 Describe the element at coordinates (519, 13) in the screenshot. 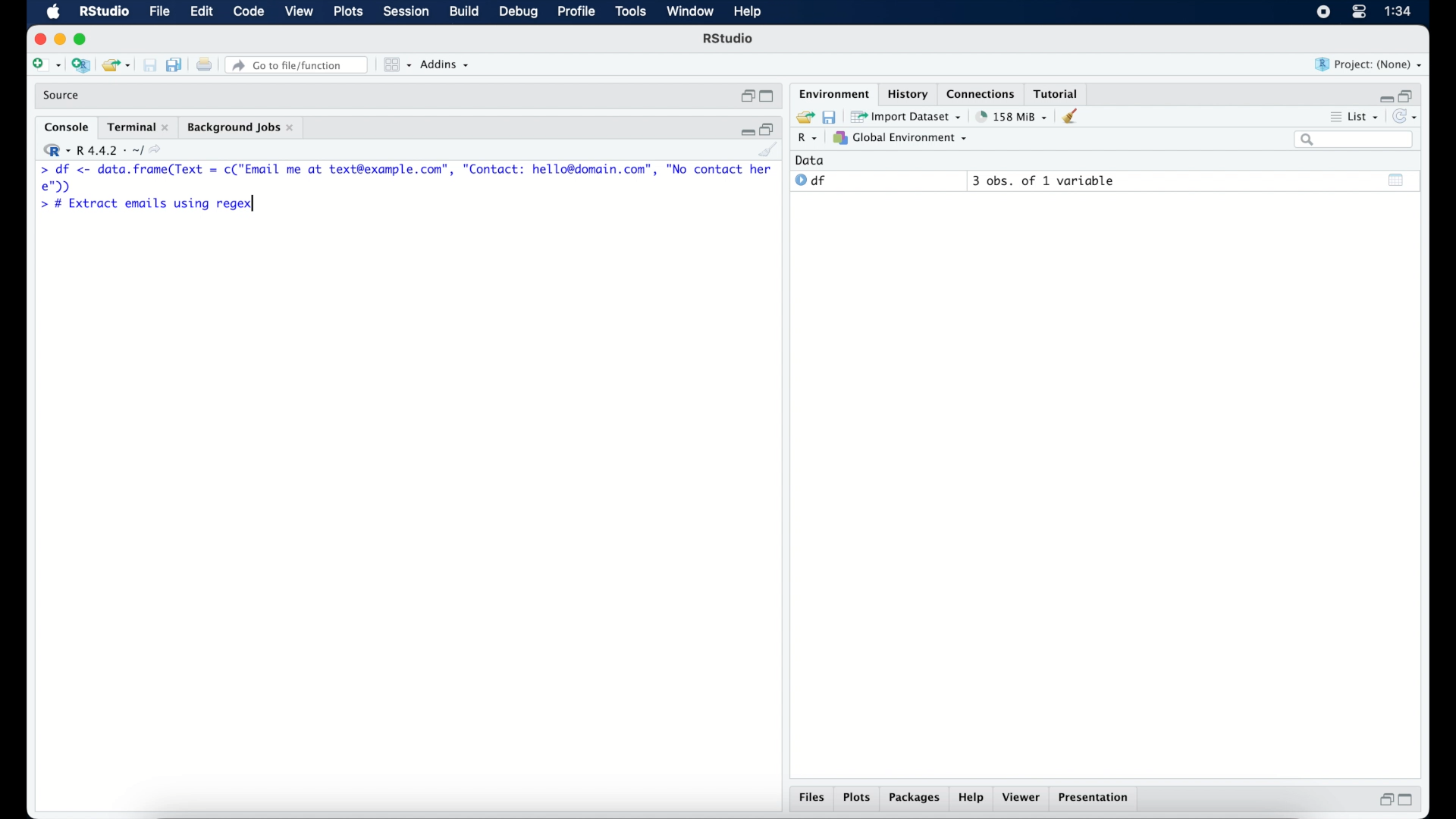

I see `debug` at that location.